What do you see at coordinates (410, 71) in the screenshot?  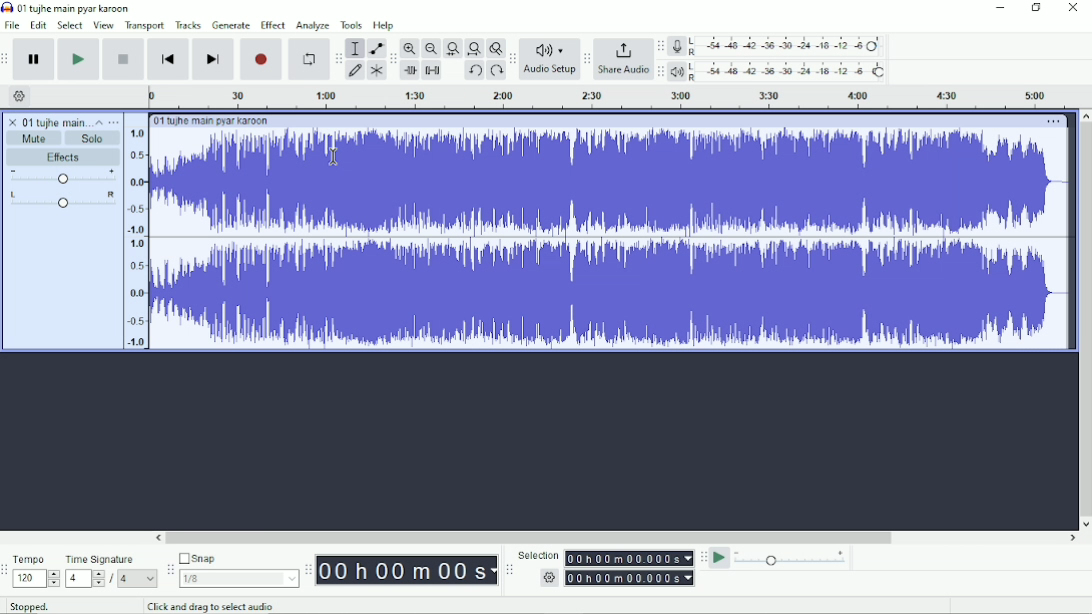 I see `Trim audio outside selection` at bounding box center [410, 71].